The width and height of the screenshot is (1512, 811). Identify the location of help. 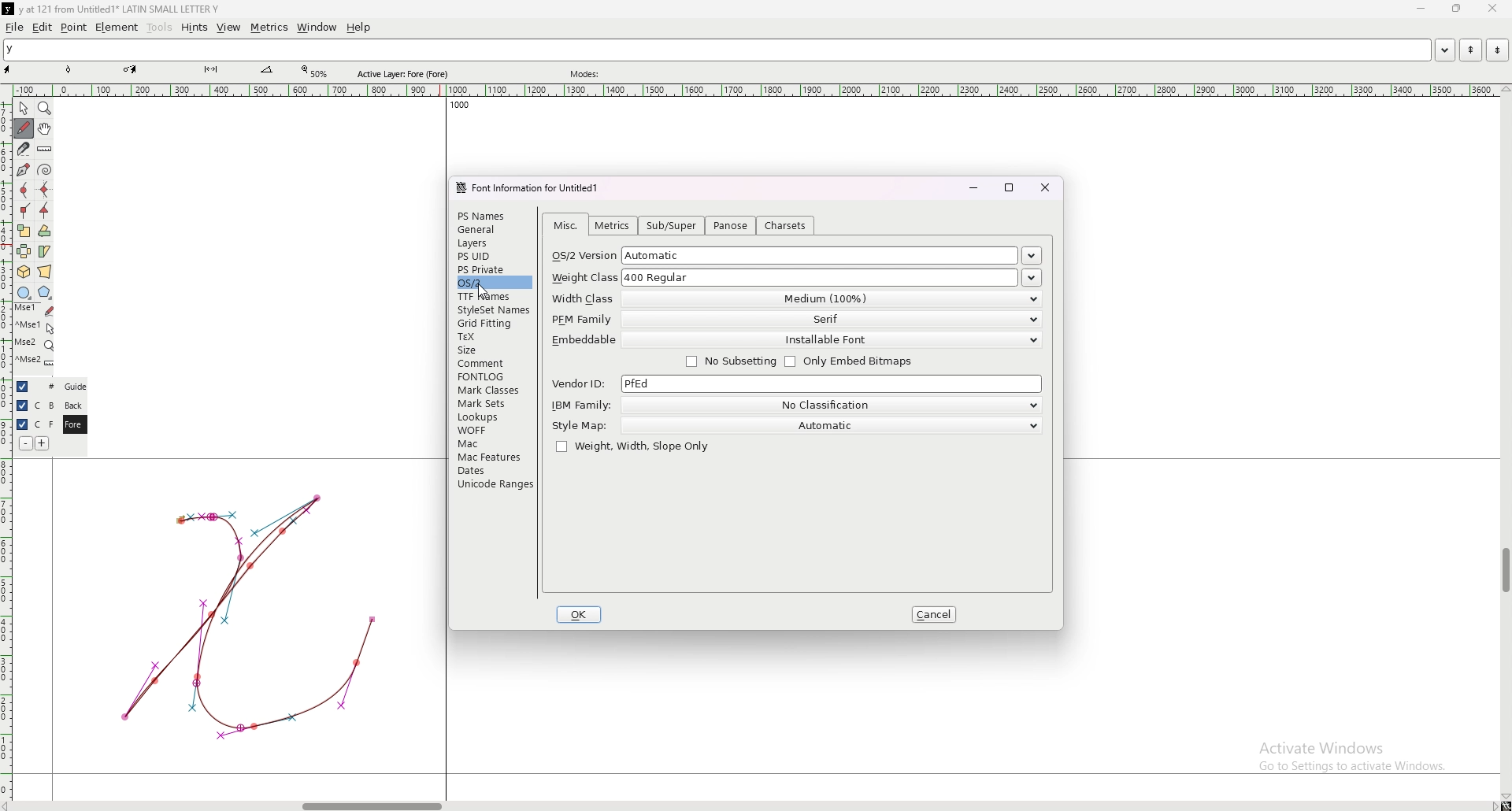
(358, 28).